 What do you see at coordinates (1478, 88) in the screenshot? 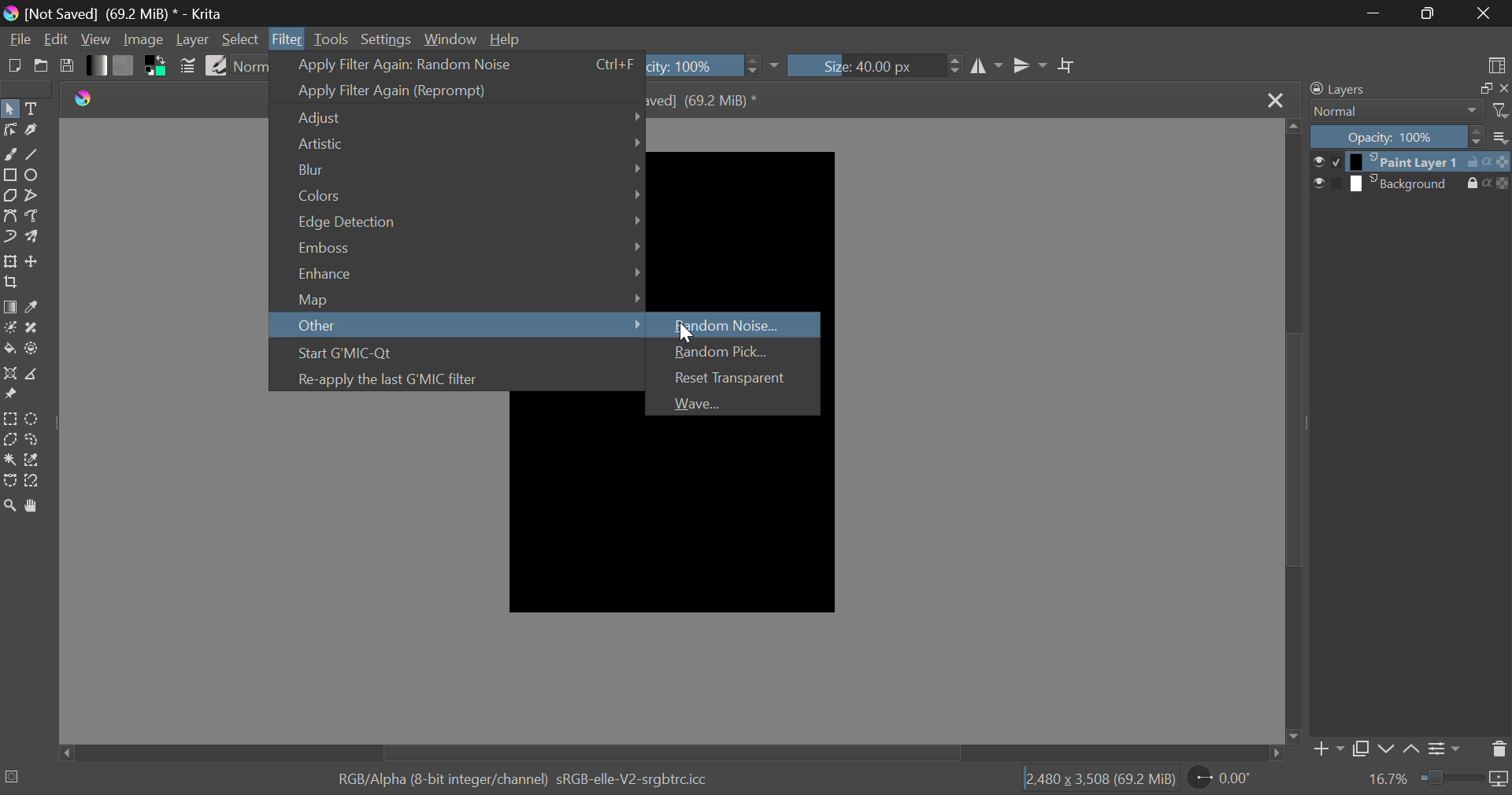
I see `maximize` at bounding box center [1478, 88].